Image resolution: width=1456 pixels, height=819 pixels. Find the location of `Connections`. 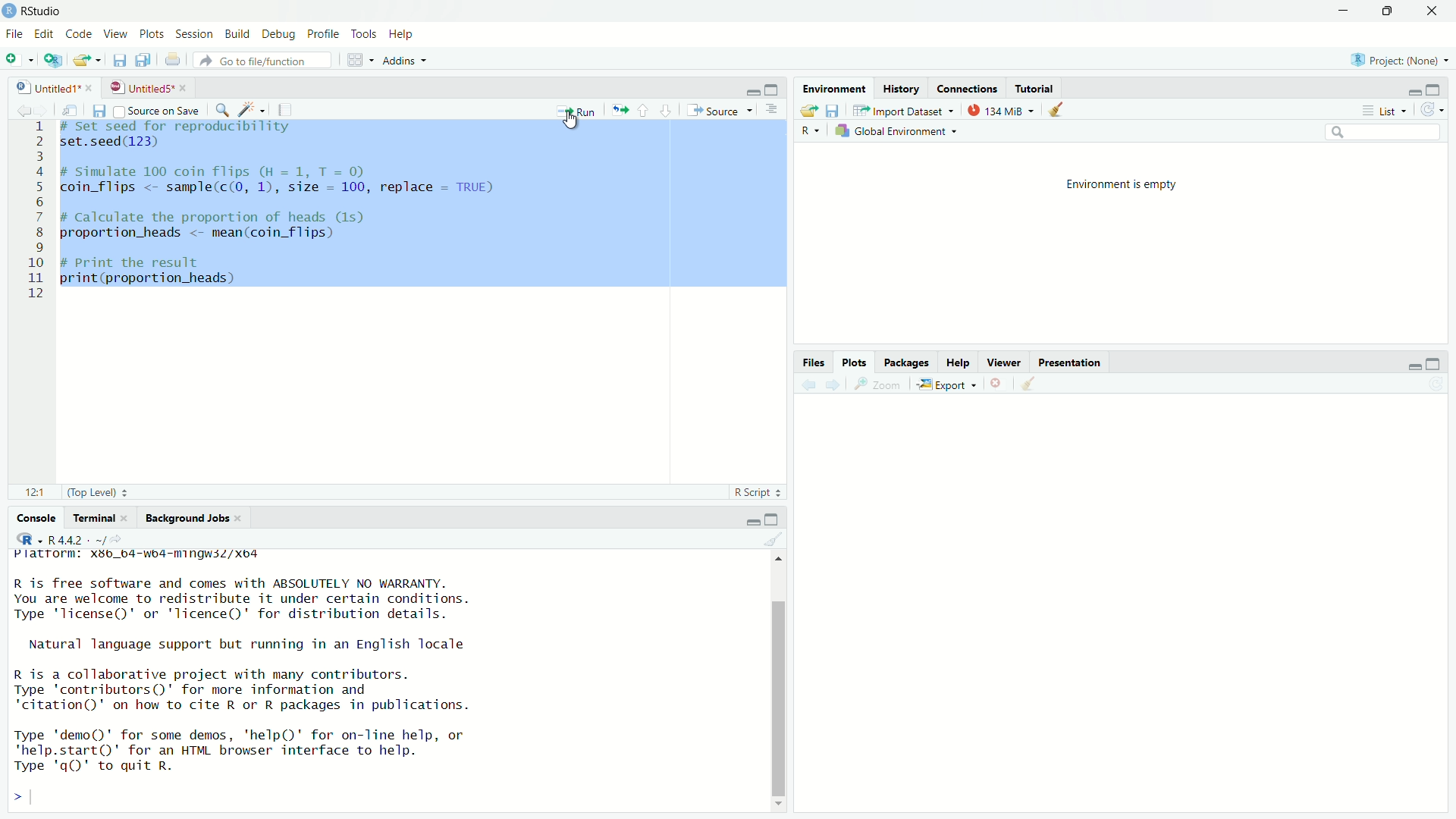

Connections is located at coordinates (968, 88).